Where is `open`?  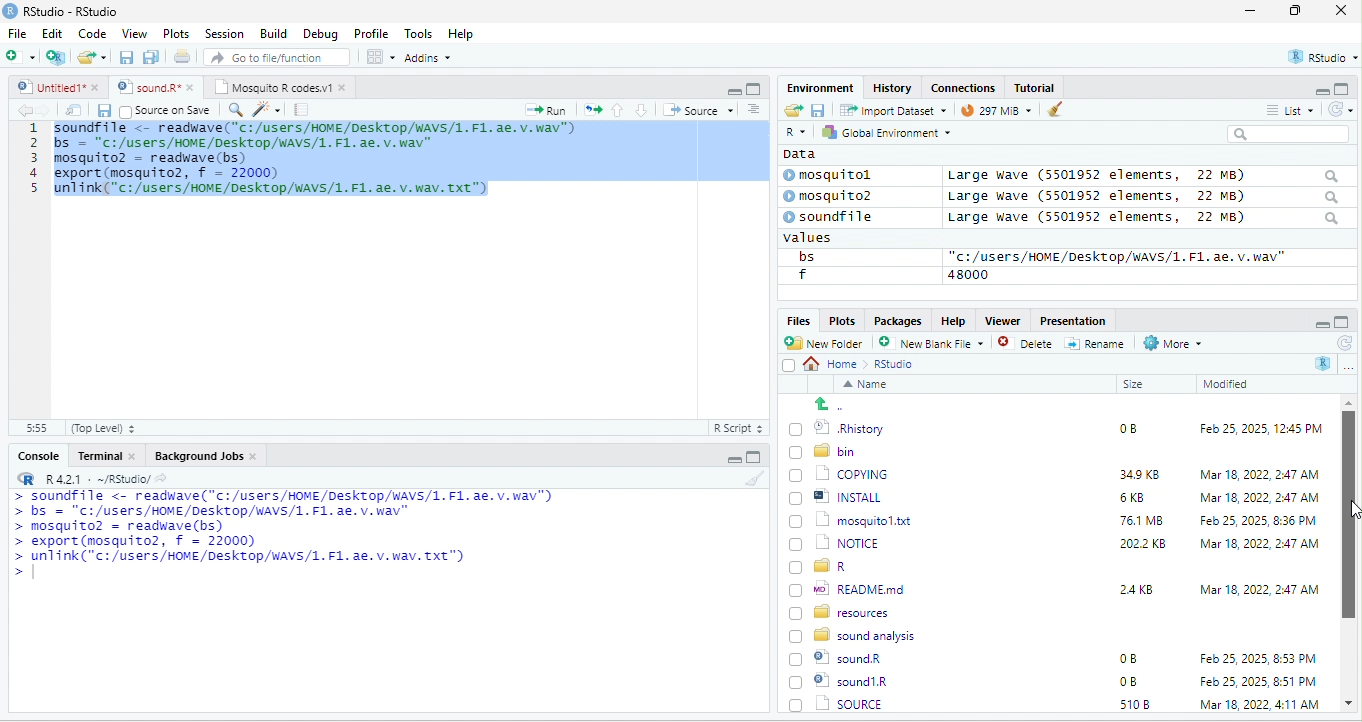 open is located at coordinates (792, 111).